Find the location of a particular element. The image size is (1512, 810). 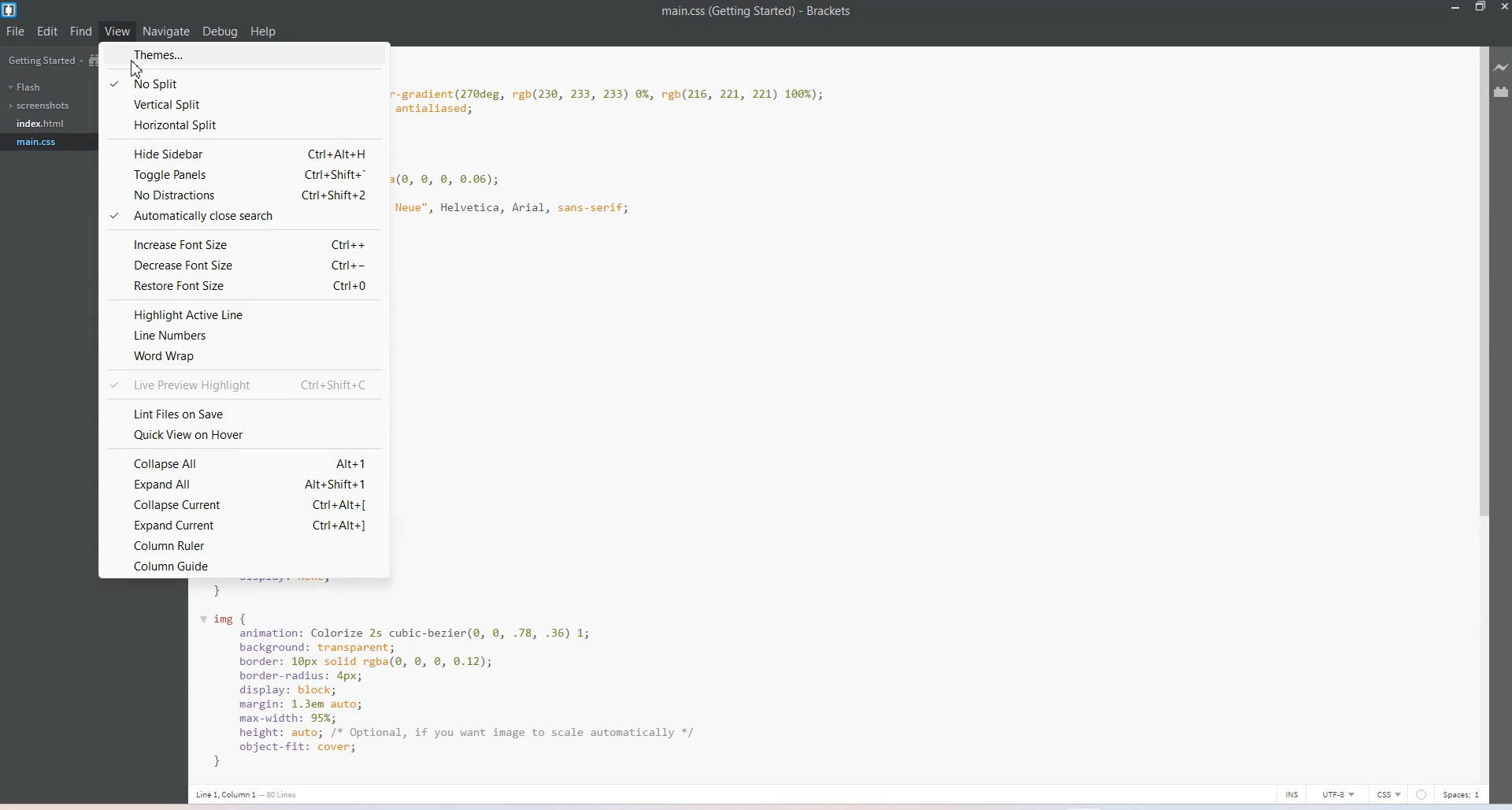

Flash is located at coordinates (24, 87).